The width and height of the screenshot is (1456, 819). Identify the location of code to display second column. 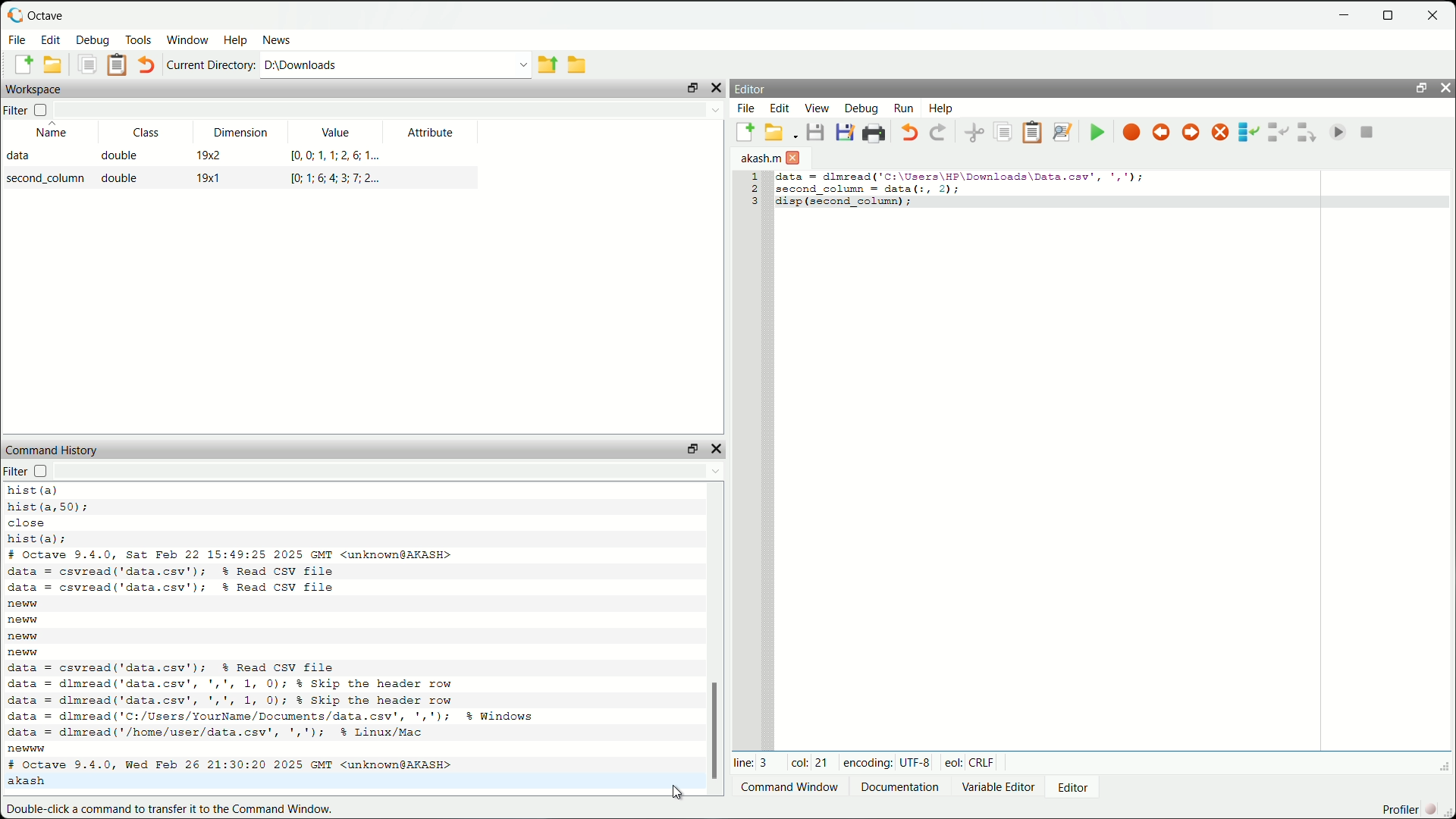
(965, 193).